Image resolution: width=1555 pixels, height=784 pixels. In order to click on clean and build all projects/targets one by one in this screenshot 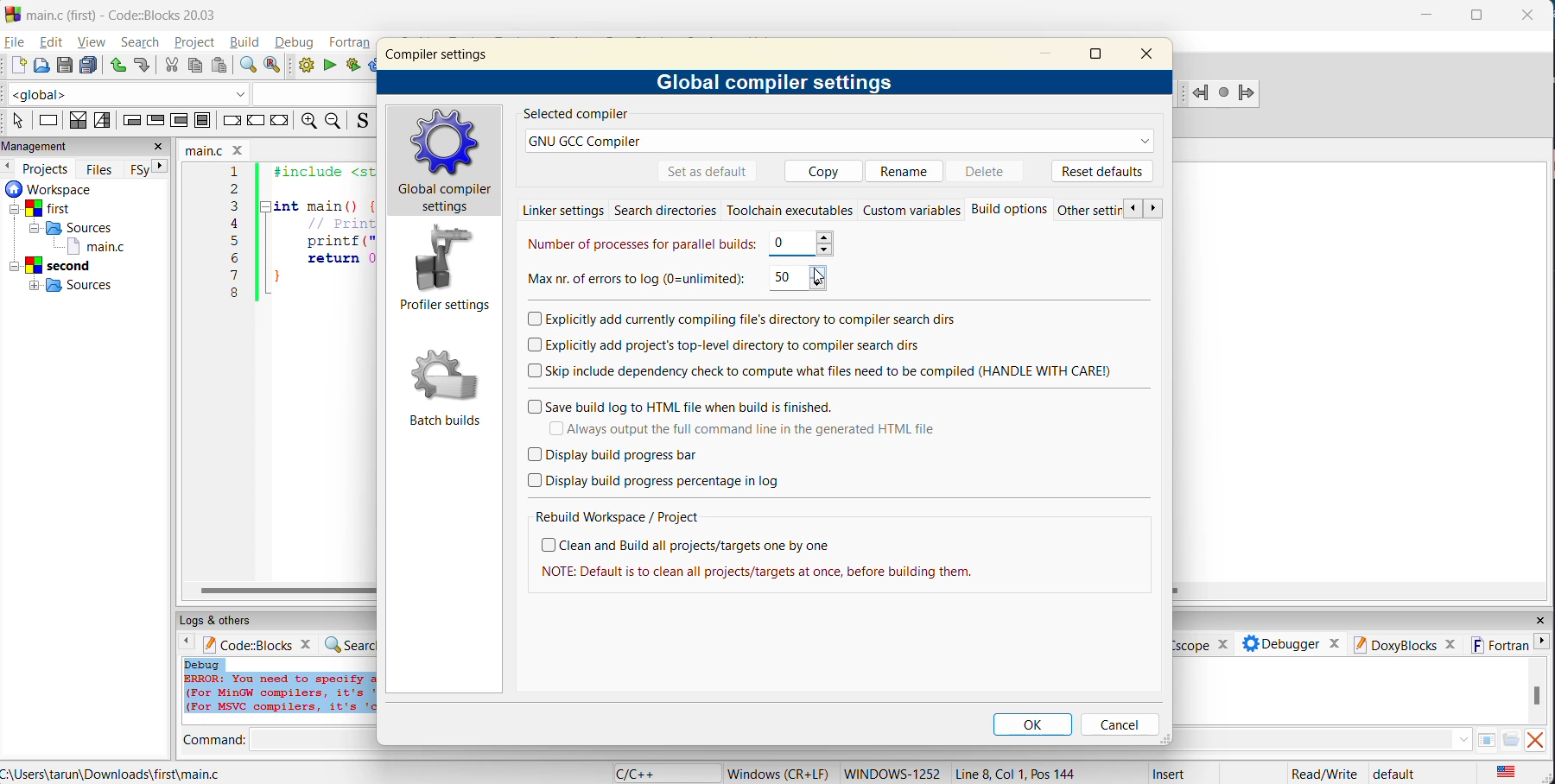, I will do `click(751, 545)`.